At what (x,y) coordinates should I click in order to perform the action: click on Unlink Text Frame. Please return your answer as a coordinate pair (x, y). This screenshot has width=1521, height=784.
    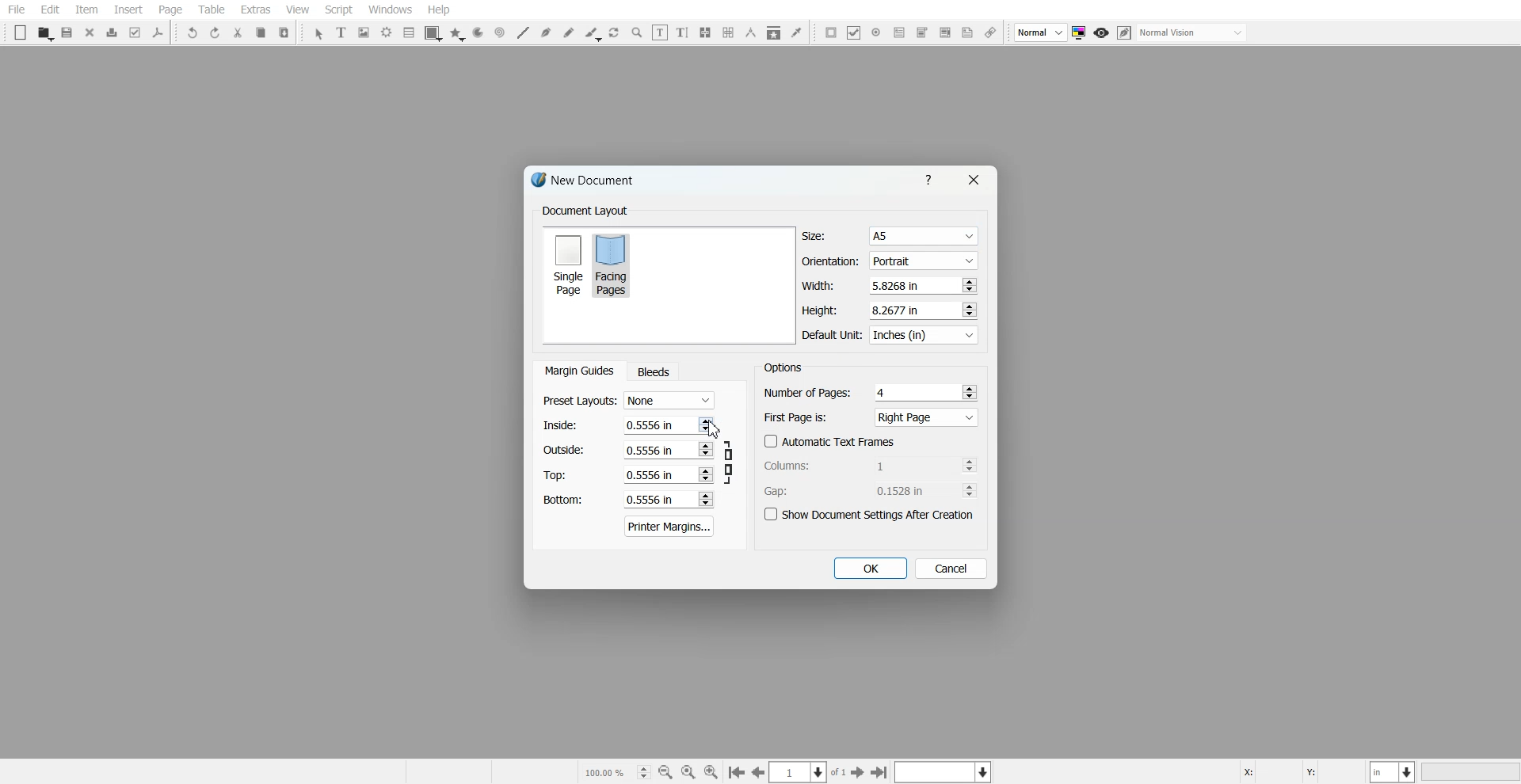
    Looking at the image, I should click on (729, 32).